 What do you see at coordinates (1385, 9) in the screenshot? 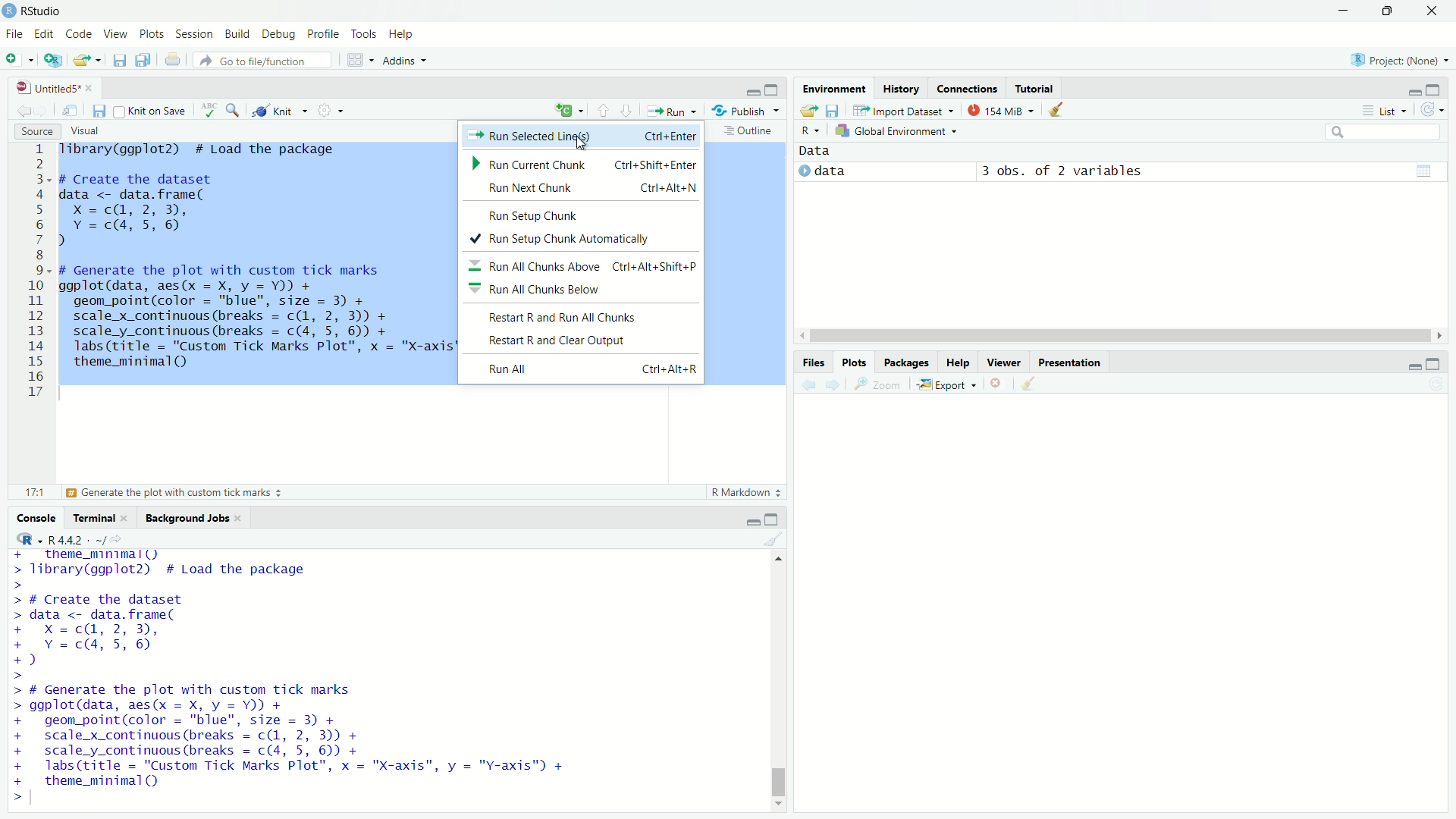
I see `maximize` at bounding box center [1385, 9].